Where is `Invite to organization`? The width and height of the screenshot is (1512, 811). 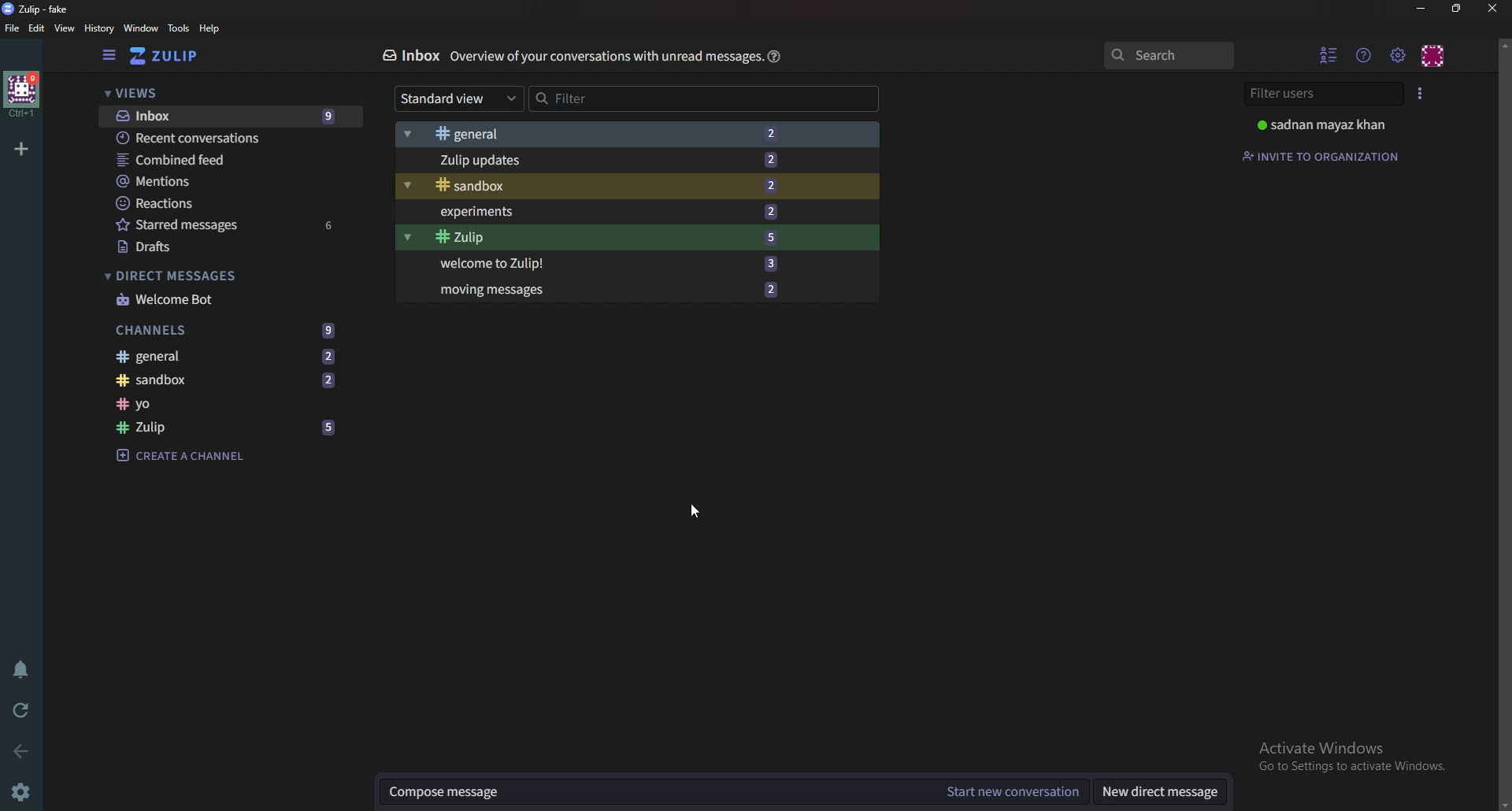
Invite to organization is located at coordinates (1326, 159).